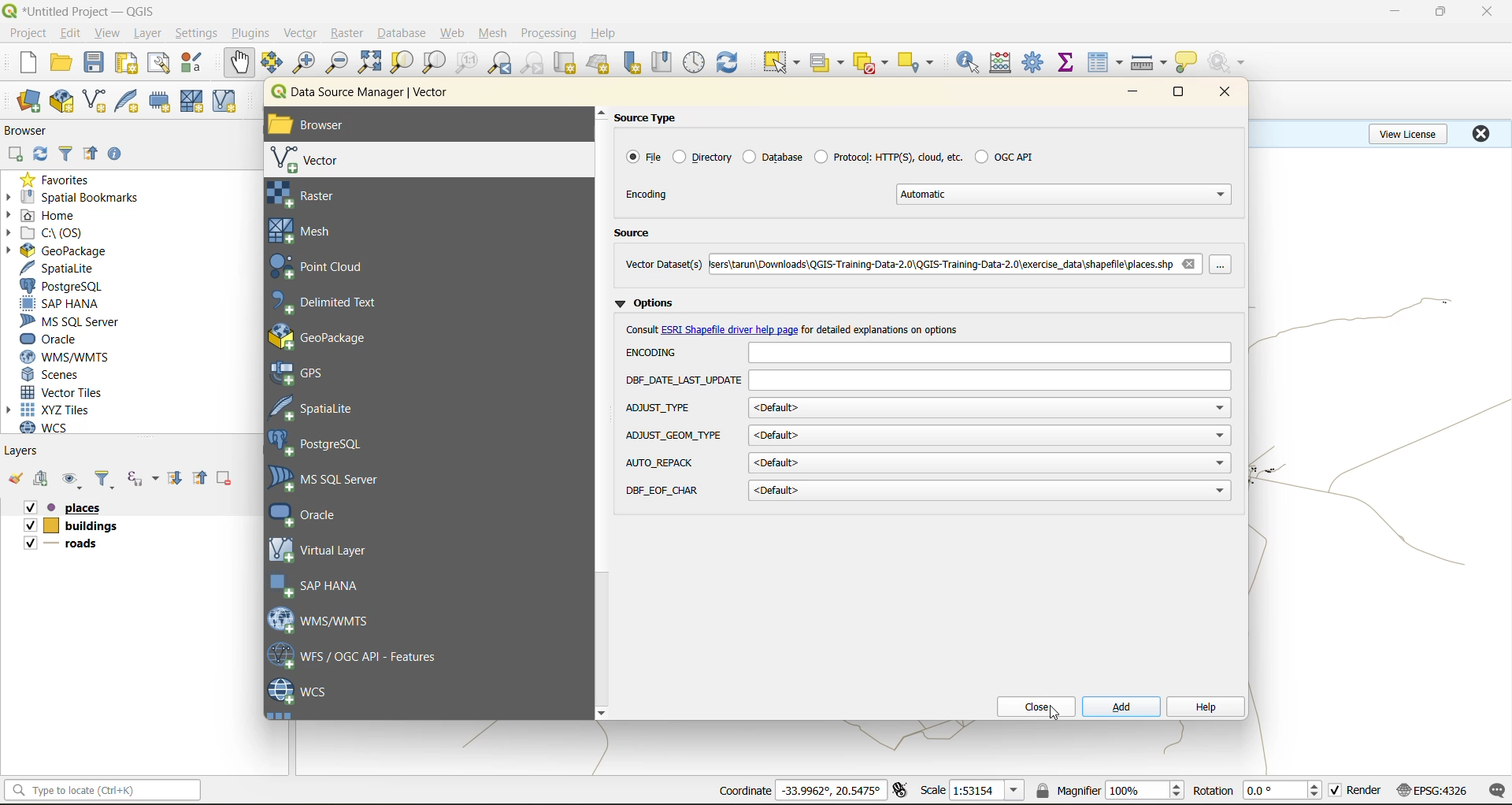 This screenshot has height=805, width=1512. What do you see at coordinates (324, 445) in the screenshot?
I see `postgresql` at bounding box center [324, 445].